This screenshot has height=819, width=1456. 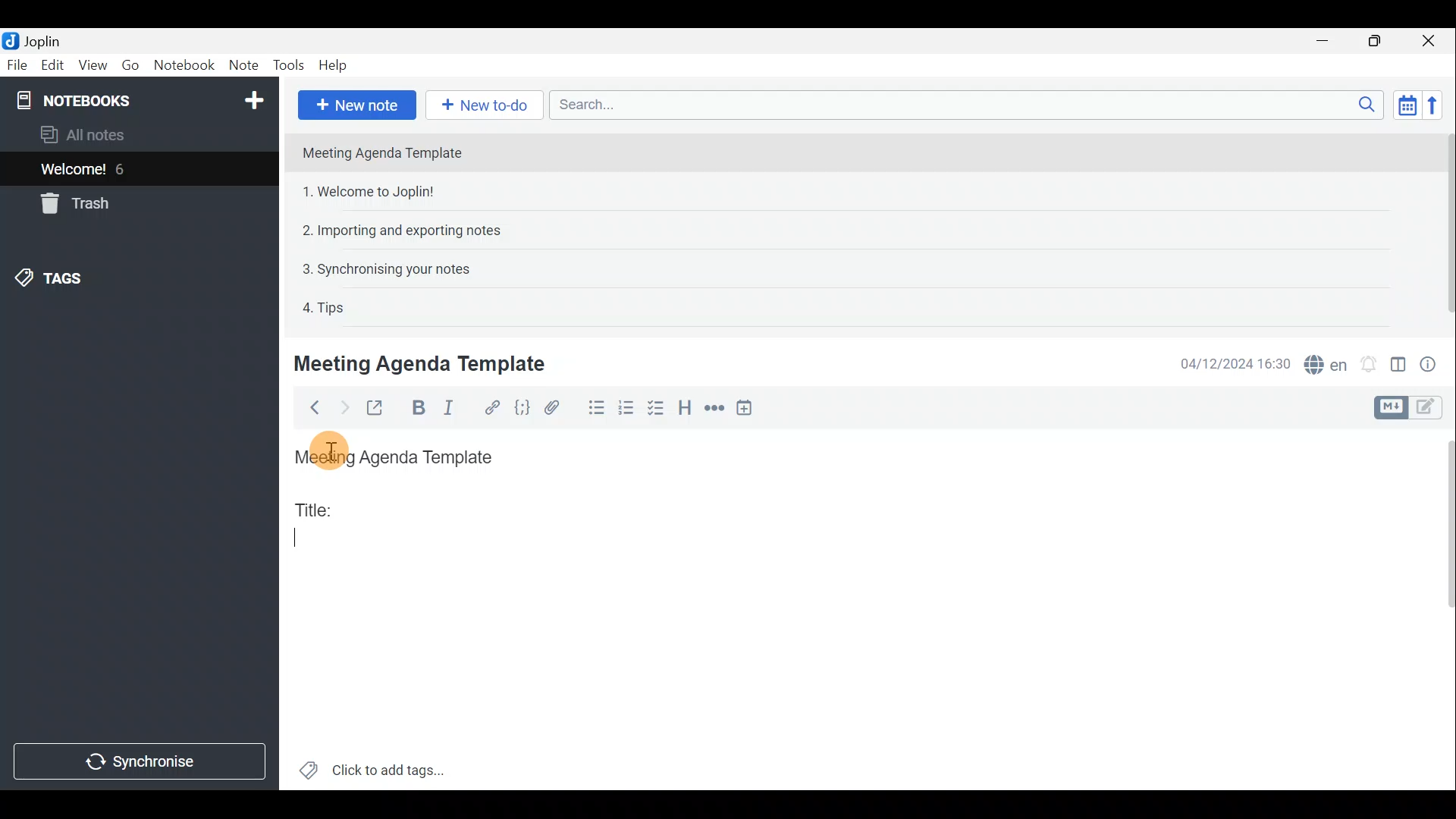 I want to click on Tools, so click(x=287, y=63).